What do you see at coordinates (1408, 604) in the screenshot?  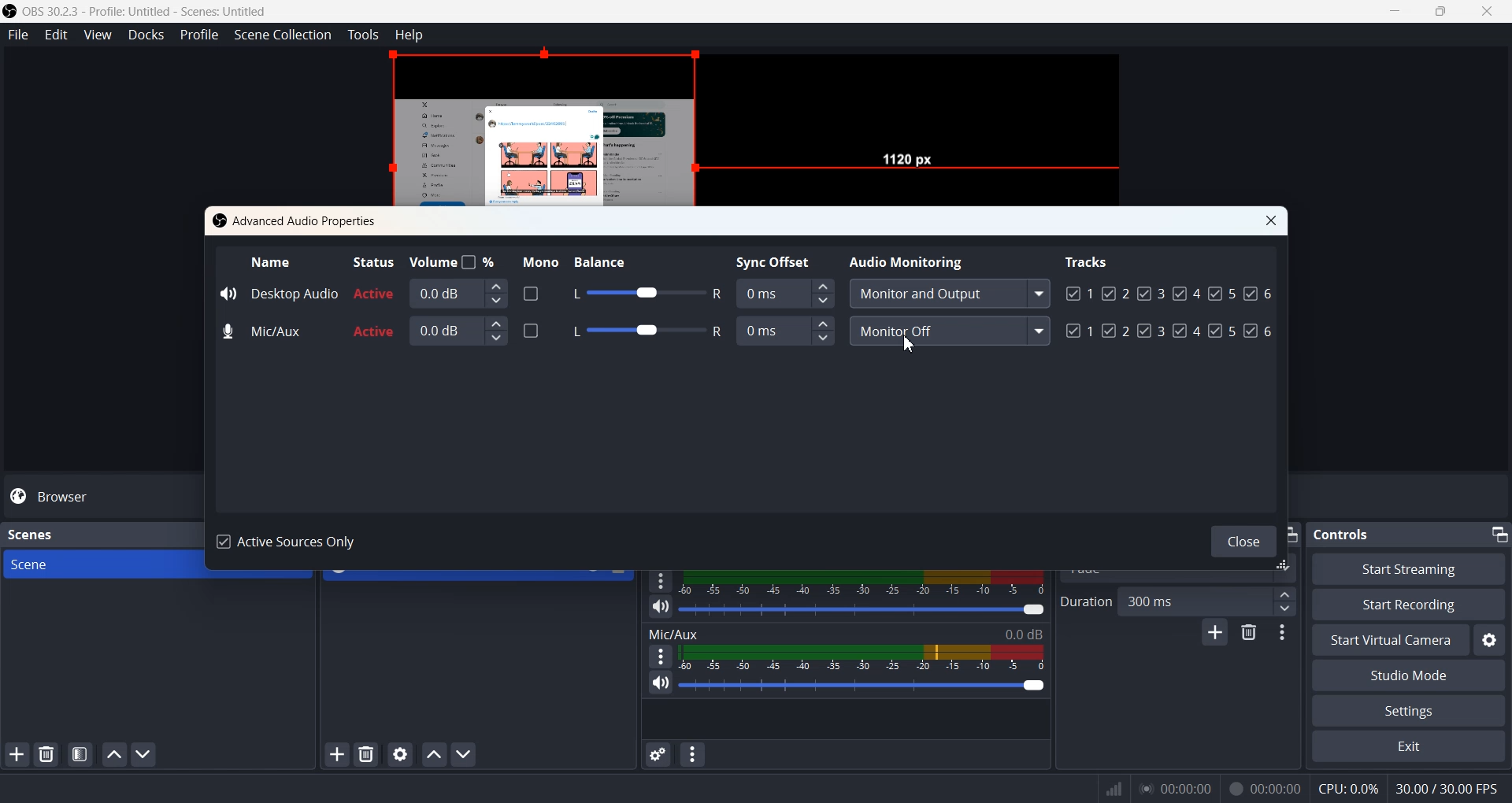 I see `Start Recording` at bounding box center [1408, 604].